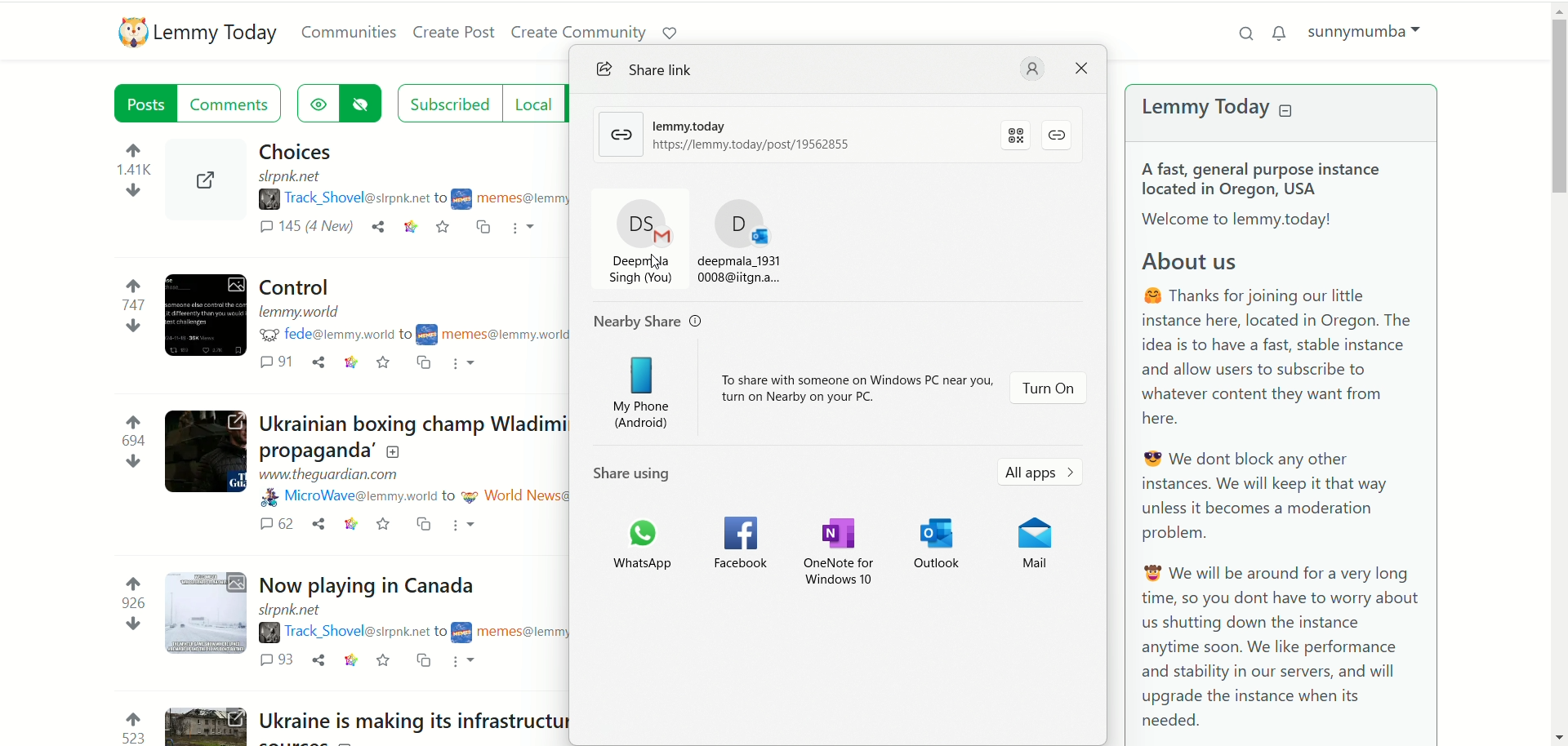 This screenshot has width=1568, height=746. Describe the element at coordinates (194, 33) in the screenshot. I see `lemmy today logo and name` at that location.